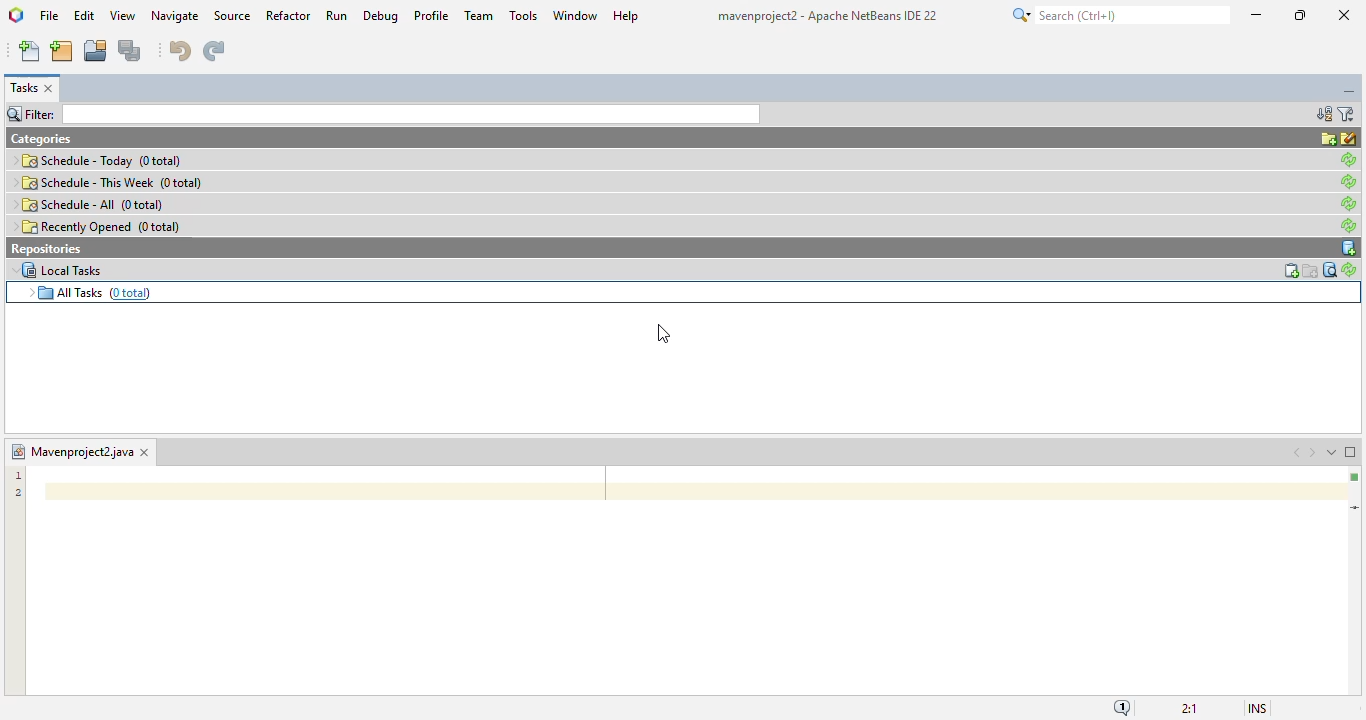 The height and width of the screenshot is (720, 1366). Describe the element at coordinates (1326, 138) in the screenshot. I see `create categories` at that location.